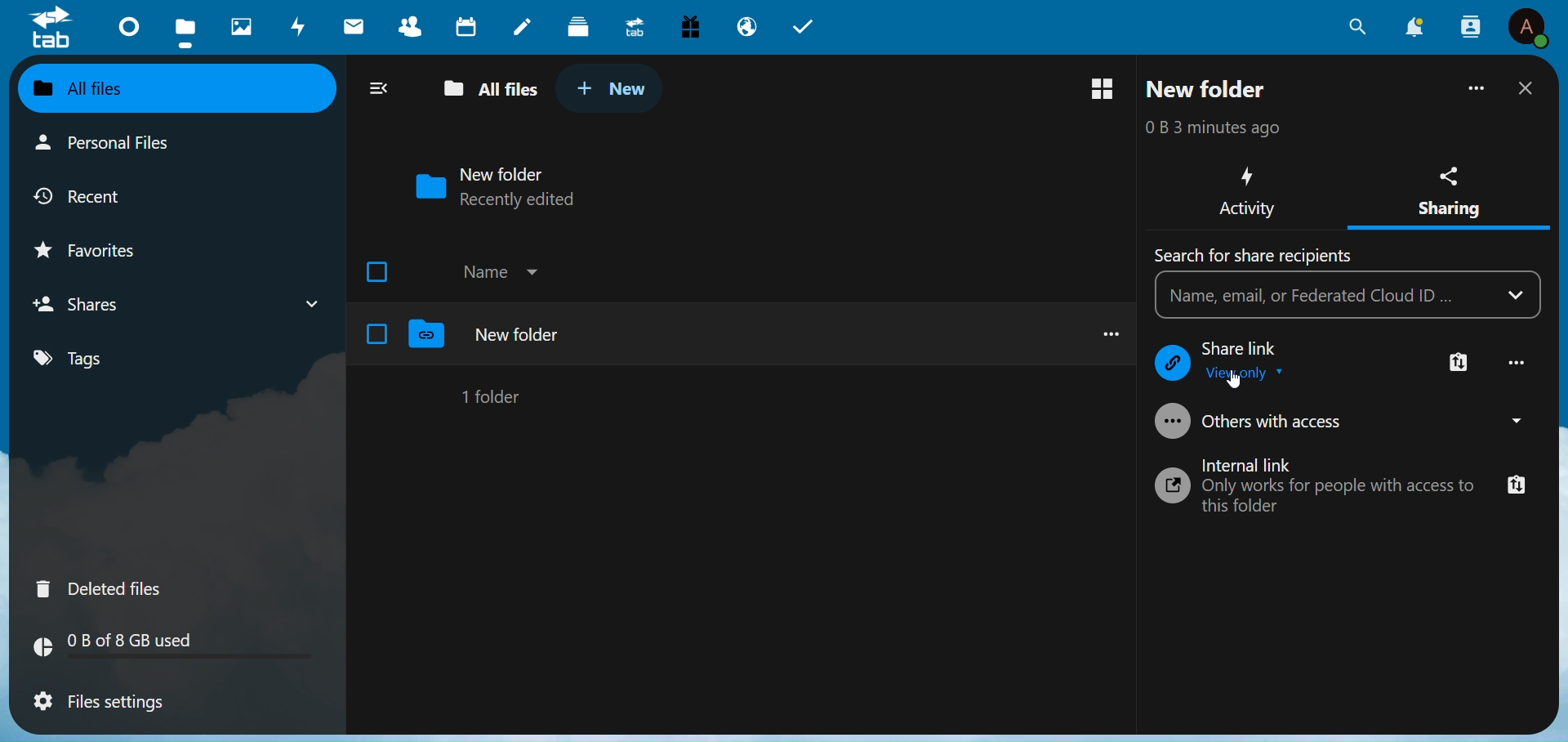  What do you see at coordinates (1447, 231) in the screenshot?
I see `Sharing selected` at bounding box center [1447, 231].